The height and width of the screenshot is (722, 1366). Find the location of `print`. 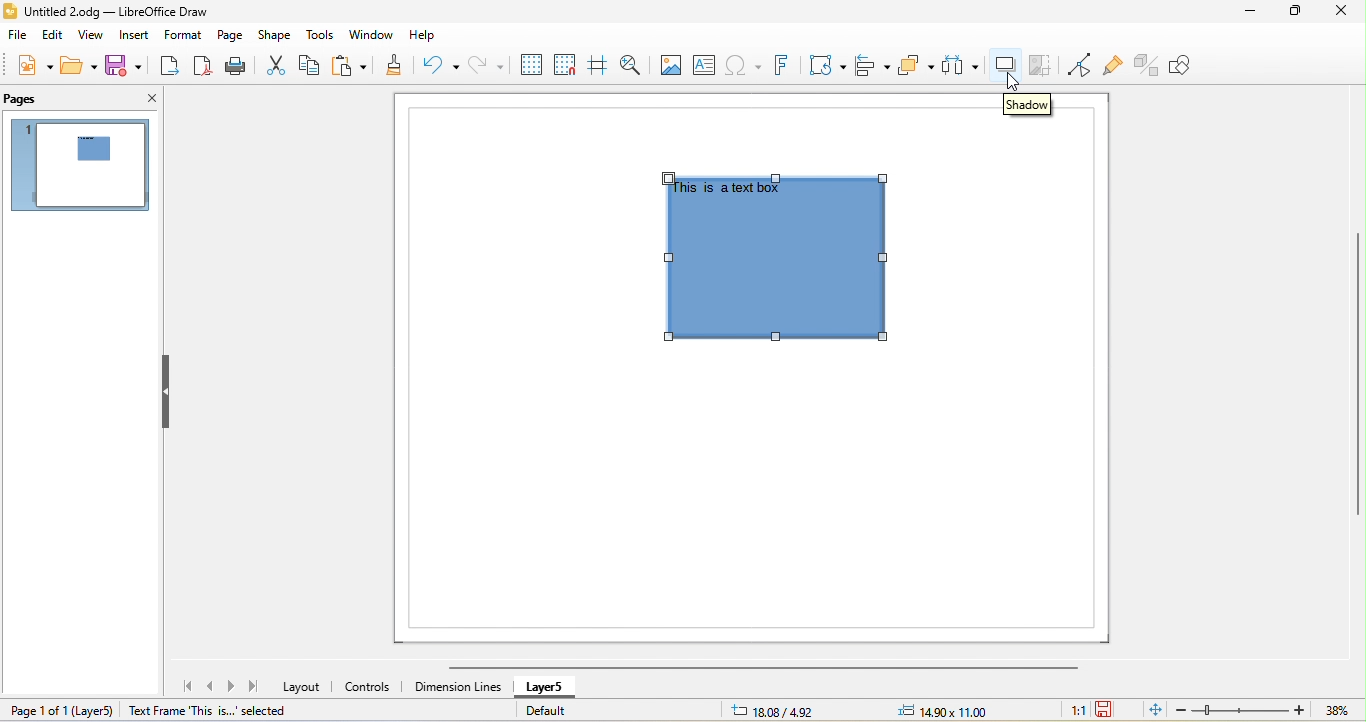

print is located at coordinates (235, 67).